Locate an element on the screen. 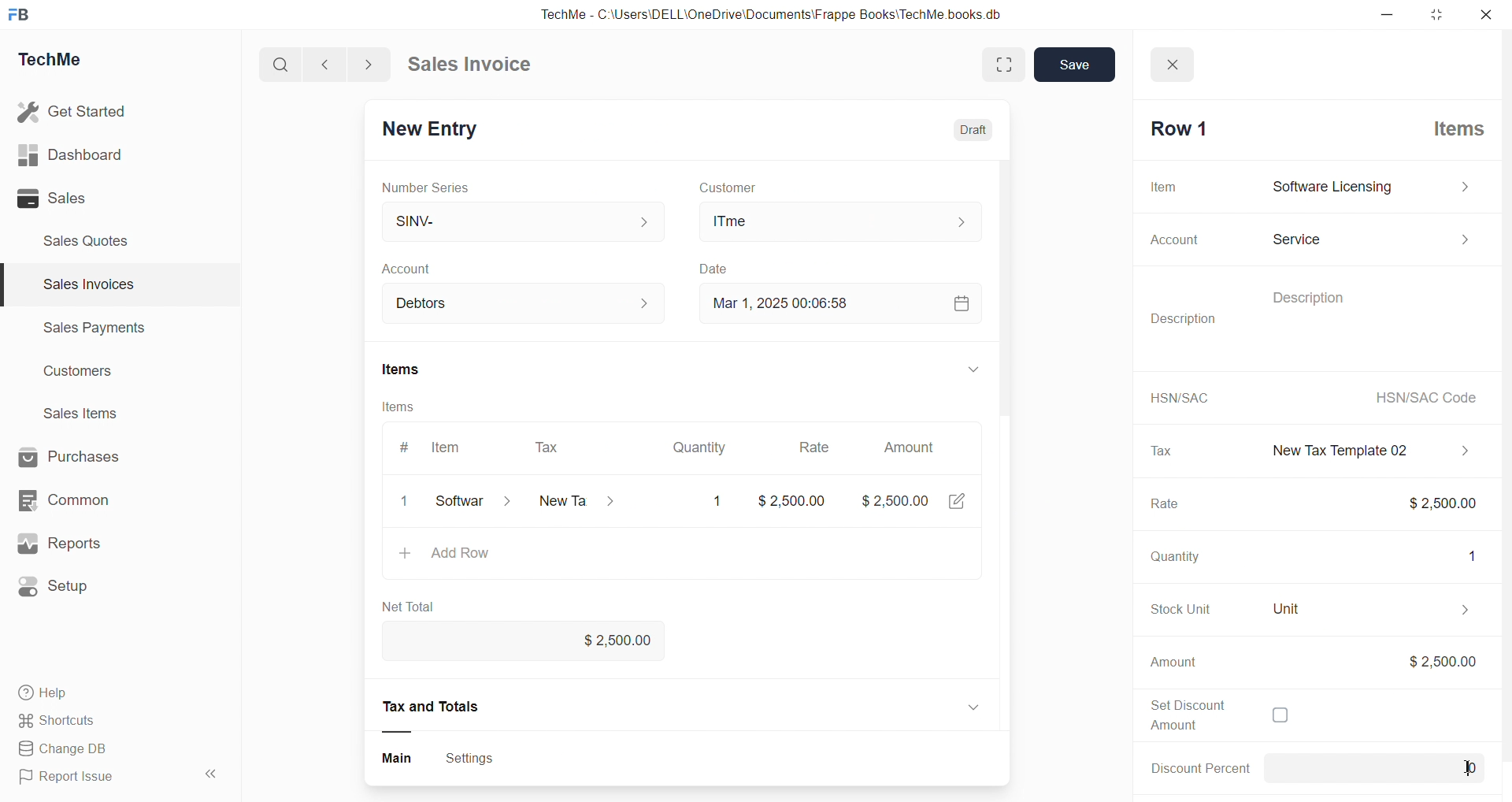  Description is located at coordinates (1188, 318).